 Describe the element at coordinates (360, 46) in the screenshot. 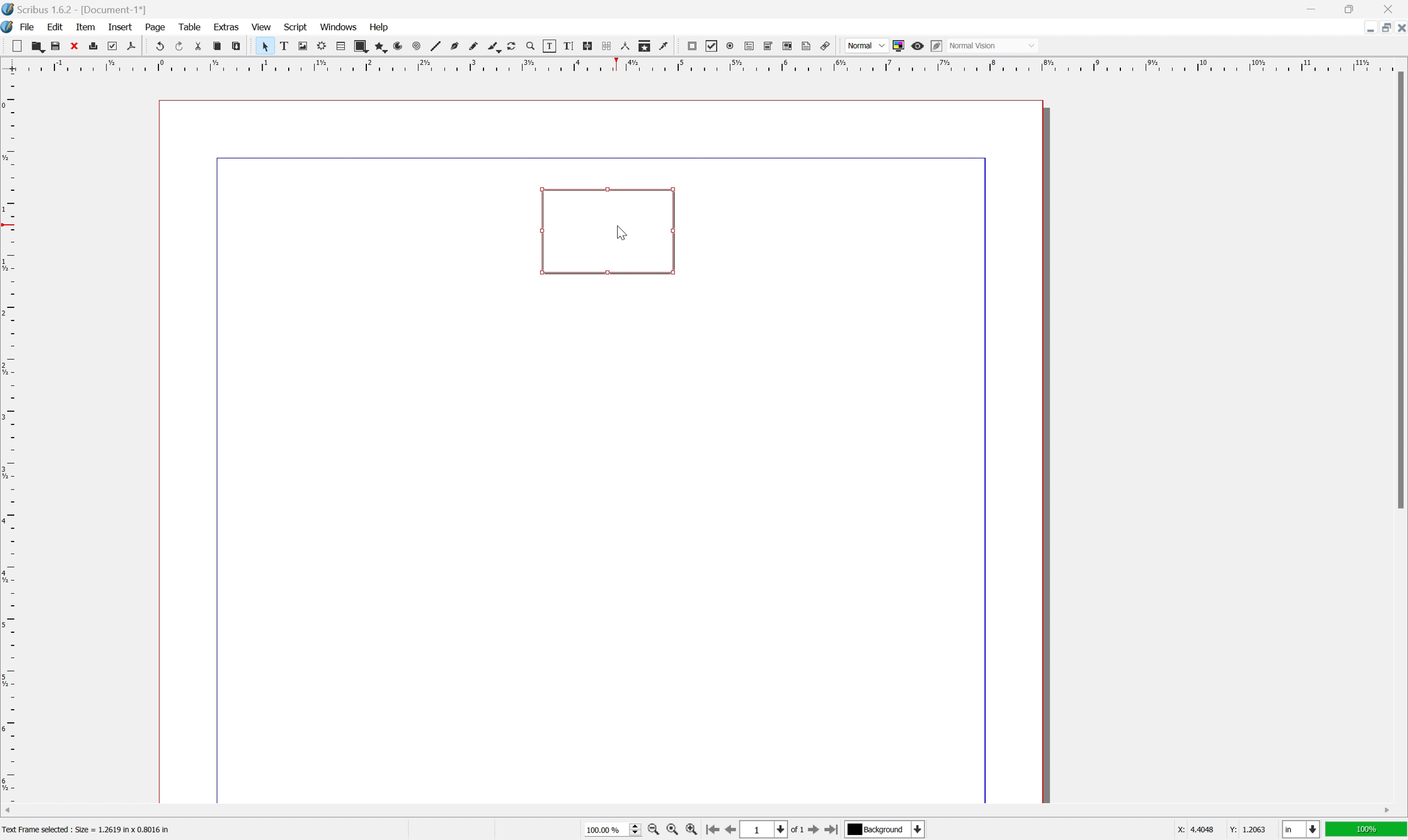

I see `shape` at that location.